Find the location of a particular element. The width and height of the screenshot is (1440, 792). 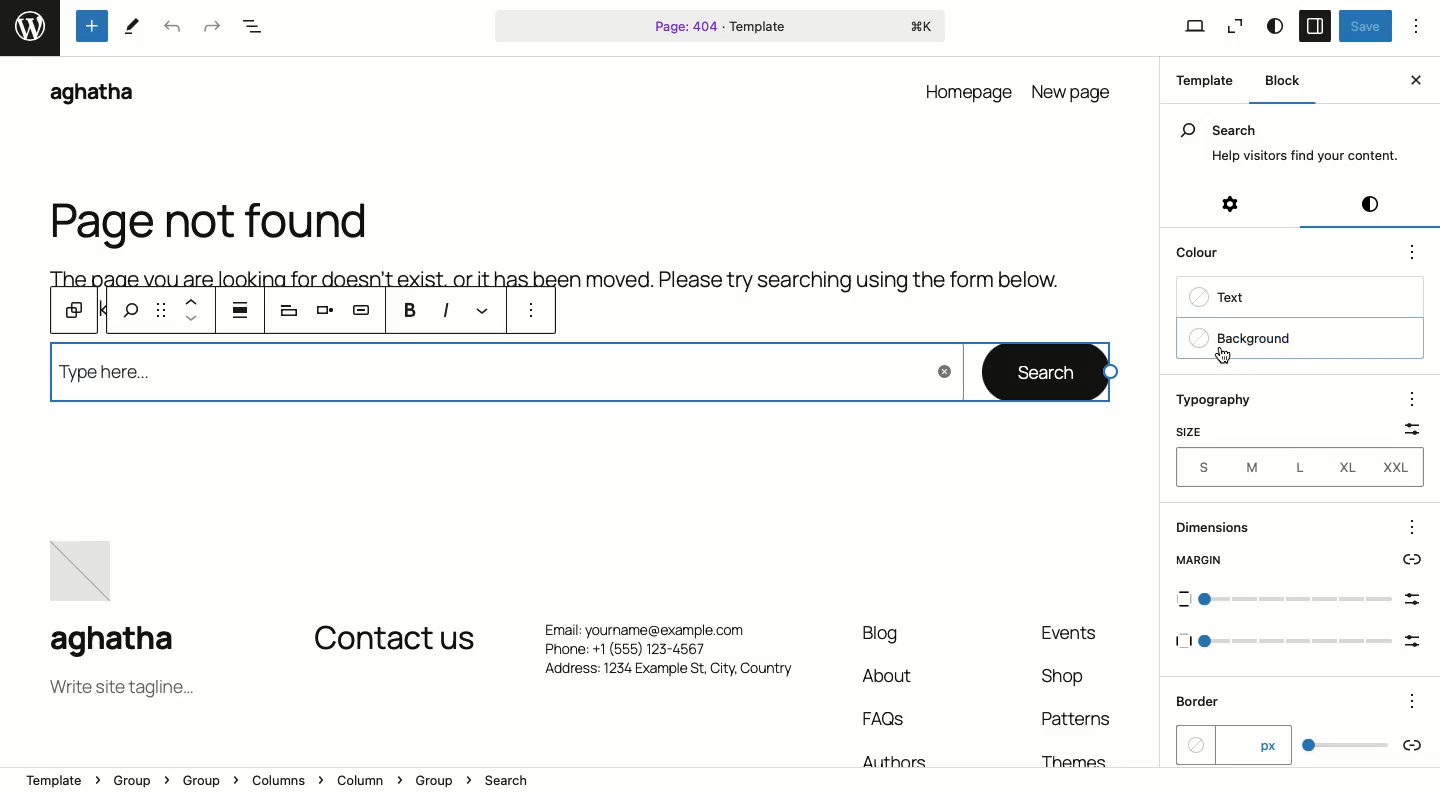

Template is located at coordinates (1199, 79).